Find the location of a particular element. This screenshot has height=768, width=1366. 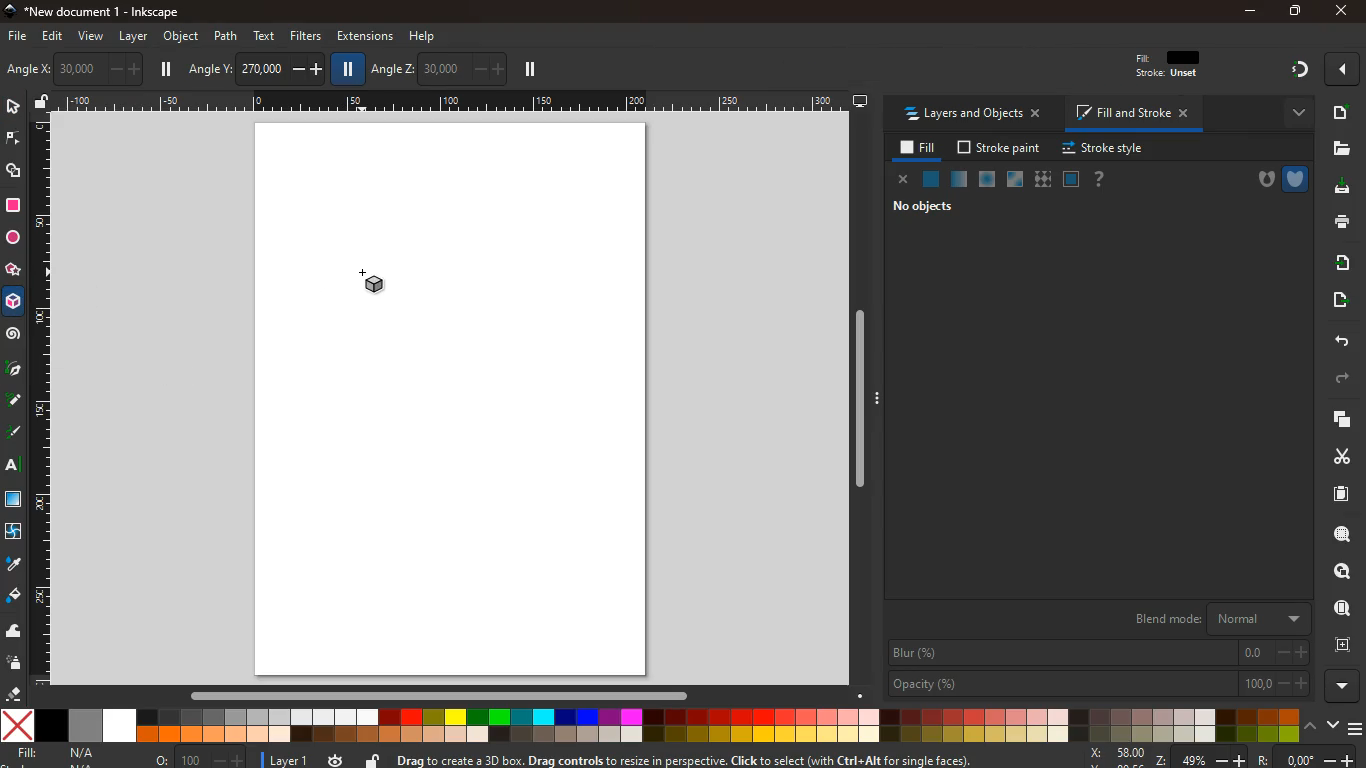

fill and stroke is located at coordinates (1135, 115).